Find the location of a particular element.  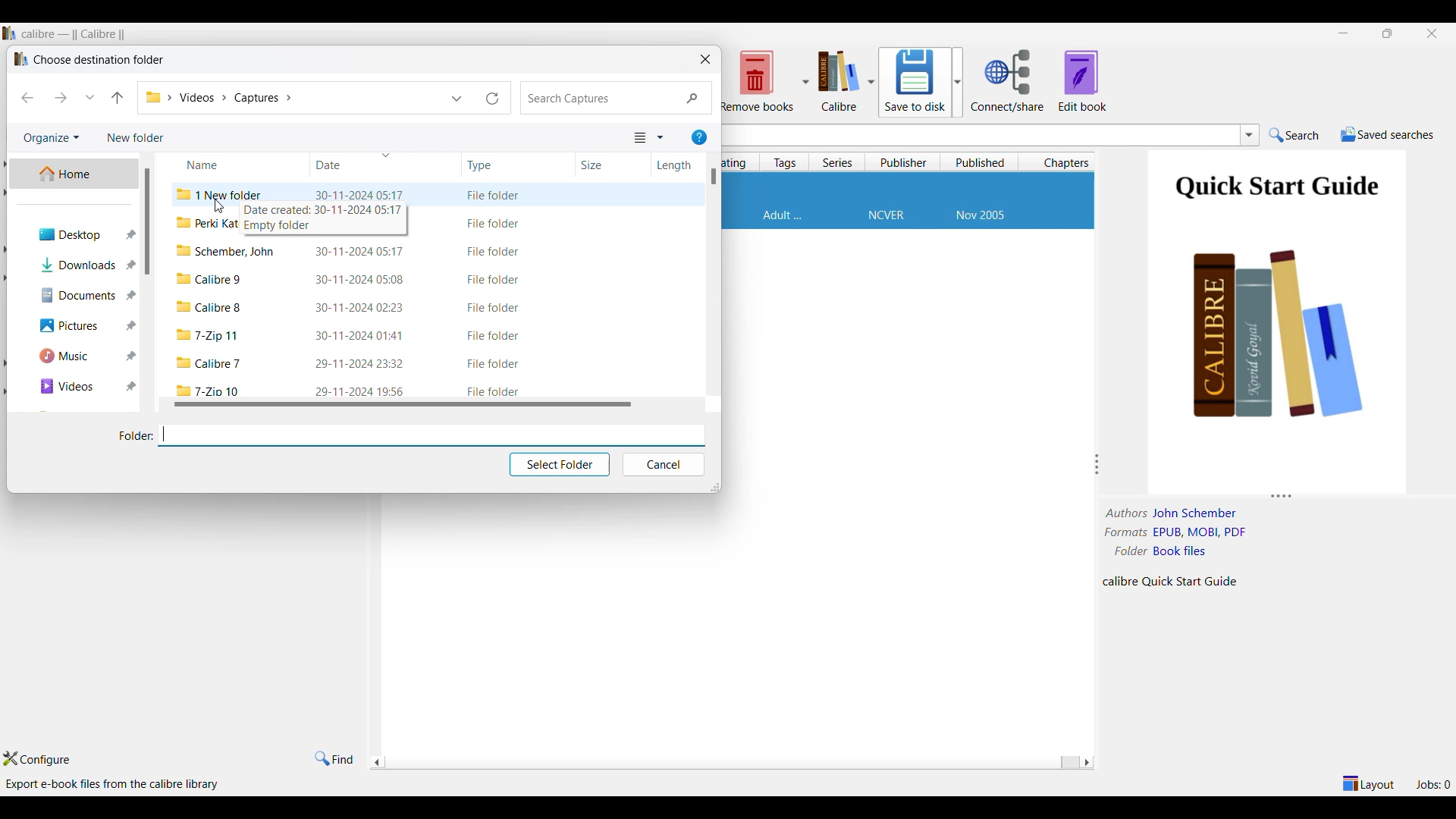

Date column, curret sorting is located at coordinates (356, 162).